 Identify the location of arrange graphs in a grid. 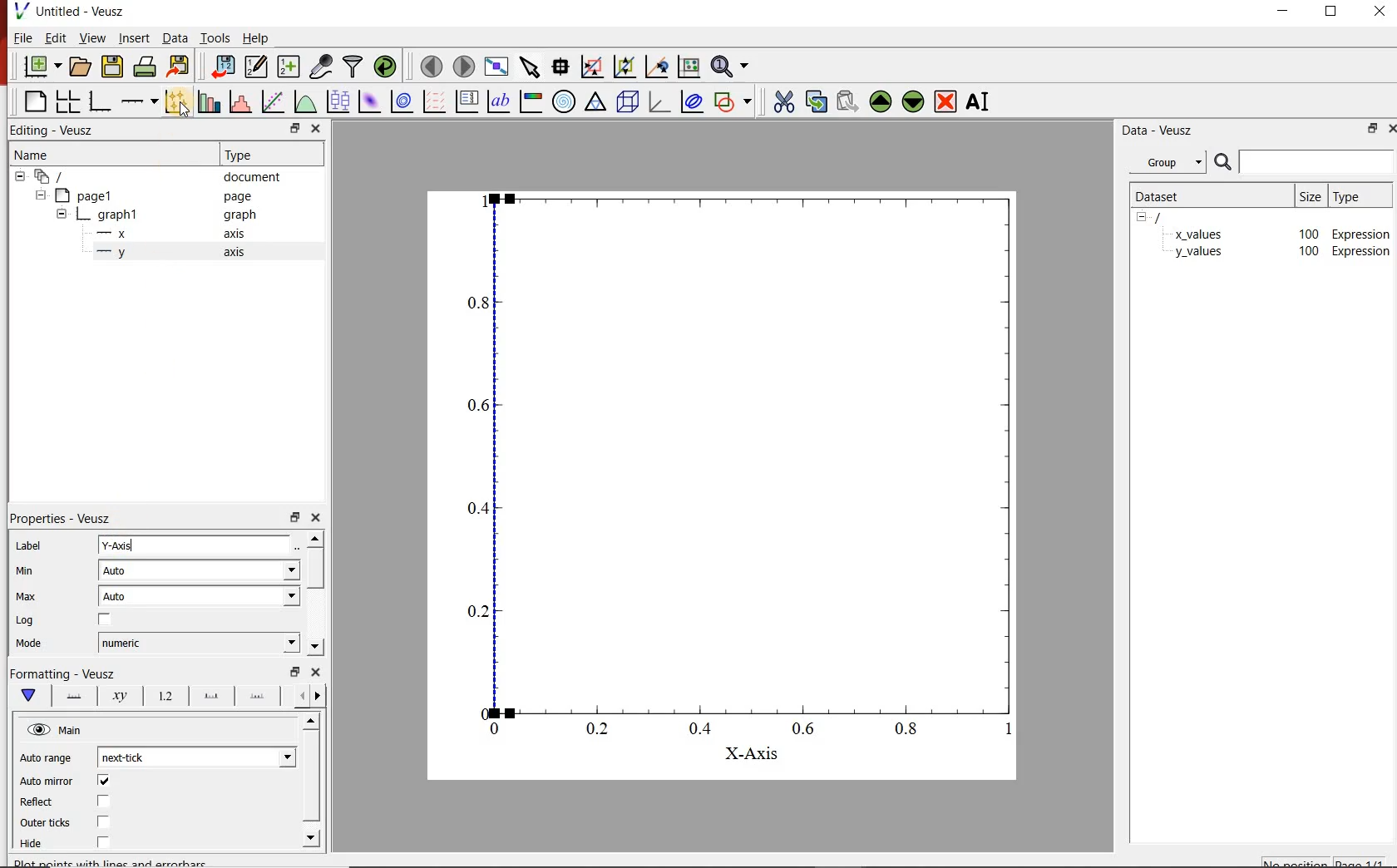
(67, 102).